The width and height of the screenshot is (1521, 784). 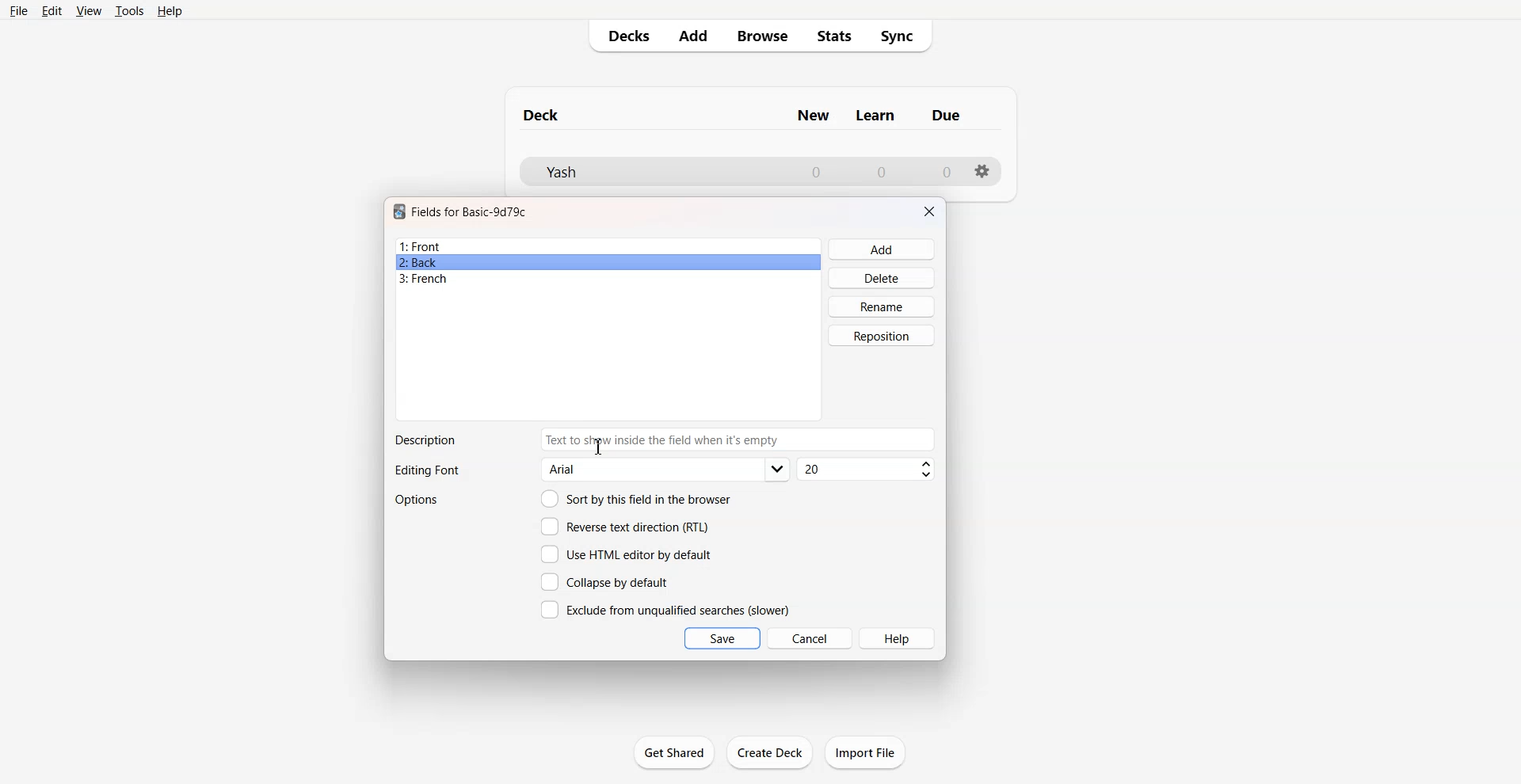 What do you see at coordinates (650, 172) in the screenshot?
I see `Deck File` at bounding box center [650, 172].